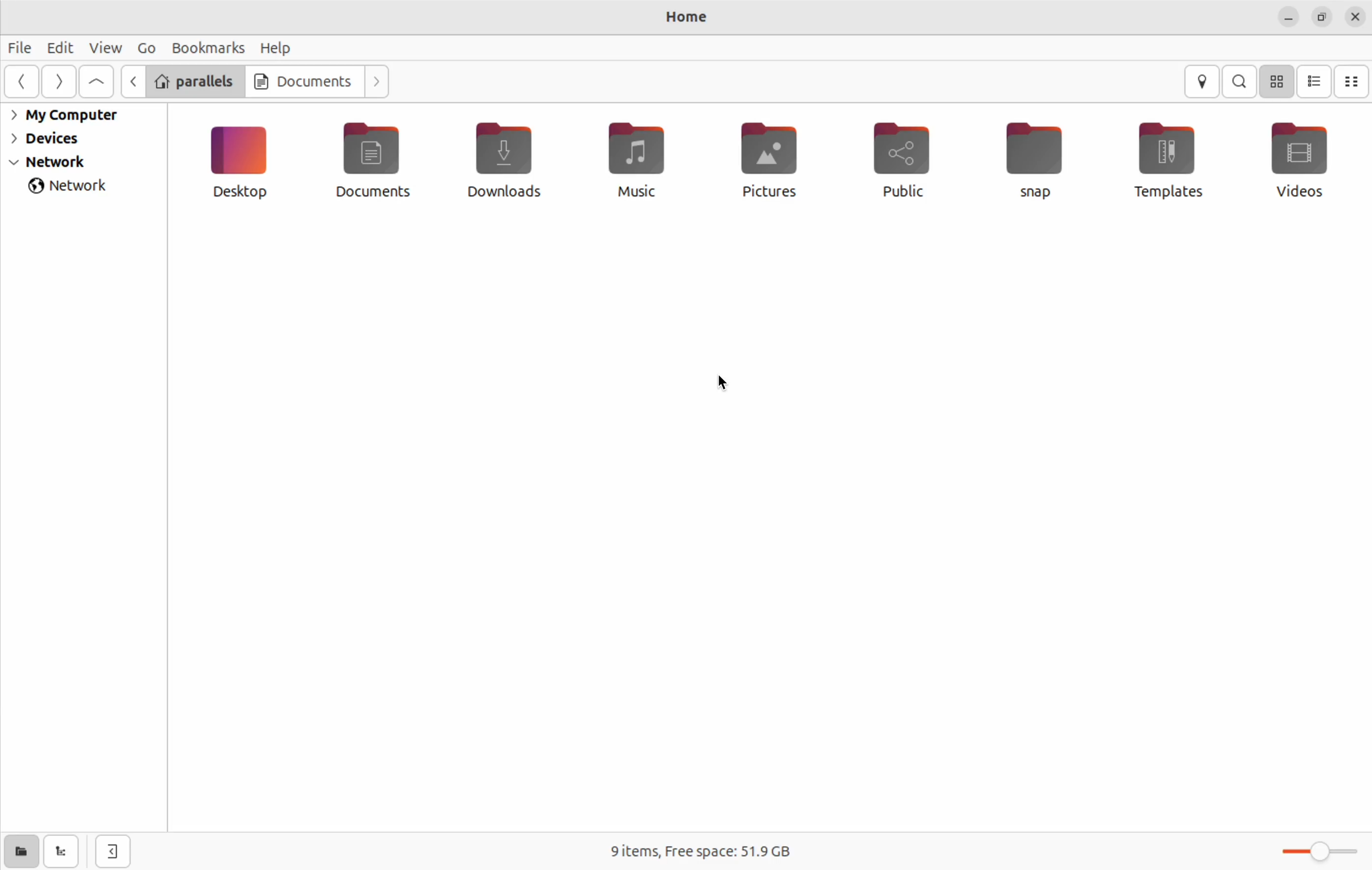 This screenshot has height=870, width=1372. Describe the element at coordinates (511, 160) in the screenshot. I see `downloads` at that location.